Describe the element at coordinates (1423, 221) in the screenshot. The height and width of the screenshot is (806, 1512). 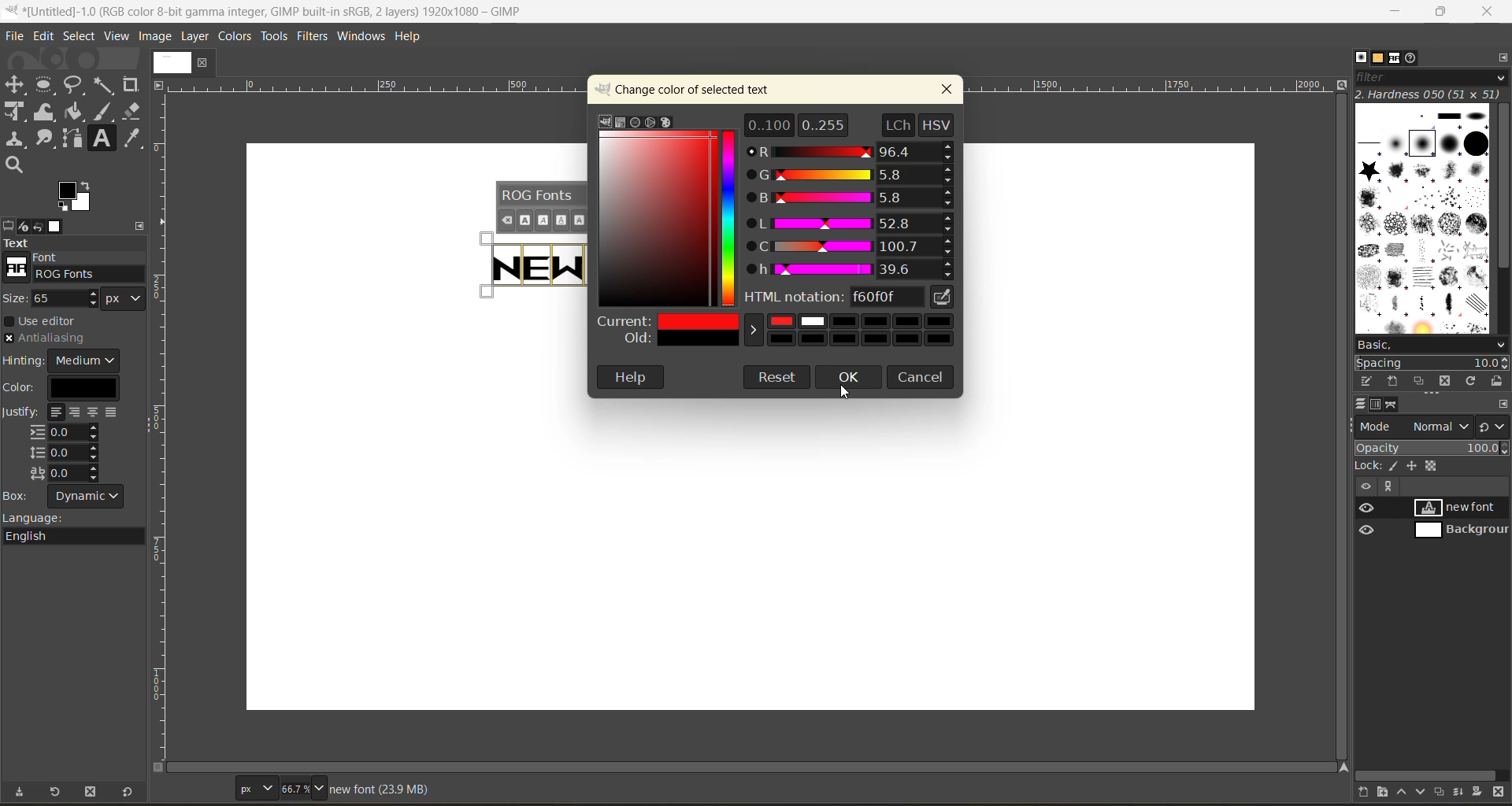
I see `brushes` at that location.